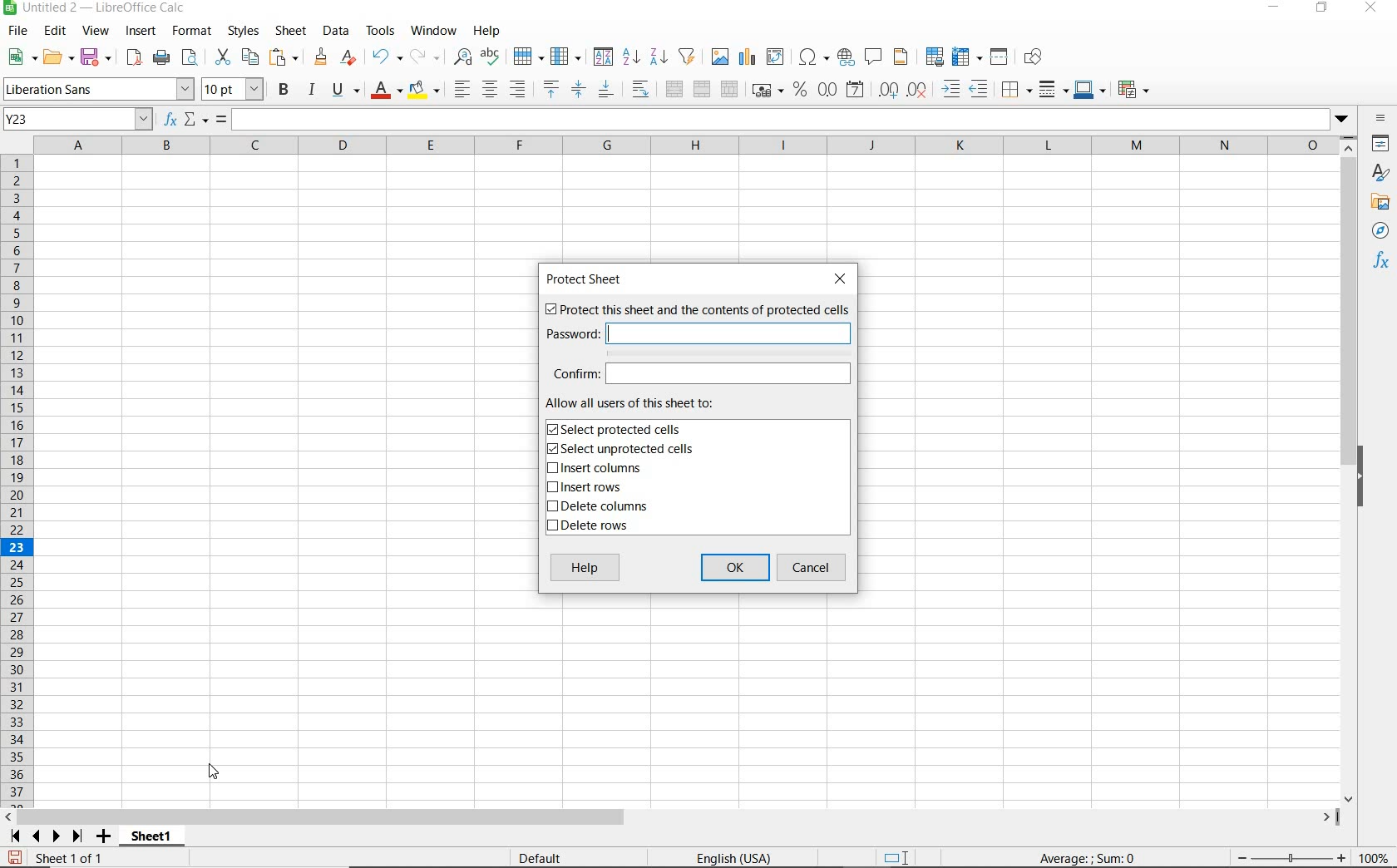 This screenshot has width=1397, height=868. Describe the element at coordinates (379, 31) in the screenshot. I see `TOOLS` at that location.